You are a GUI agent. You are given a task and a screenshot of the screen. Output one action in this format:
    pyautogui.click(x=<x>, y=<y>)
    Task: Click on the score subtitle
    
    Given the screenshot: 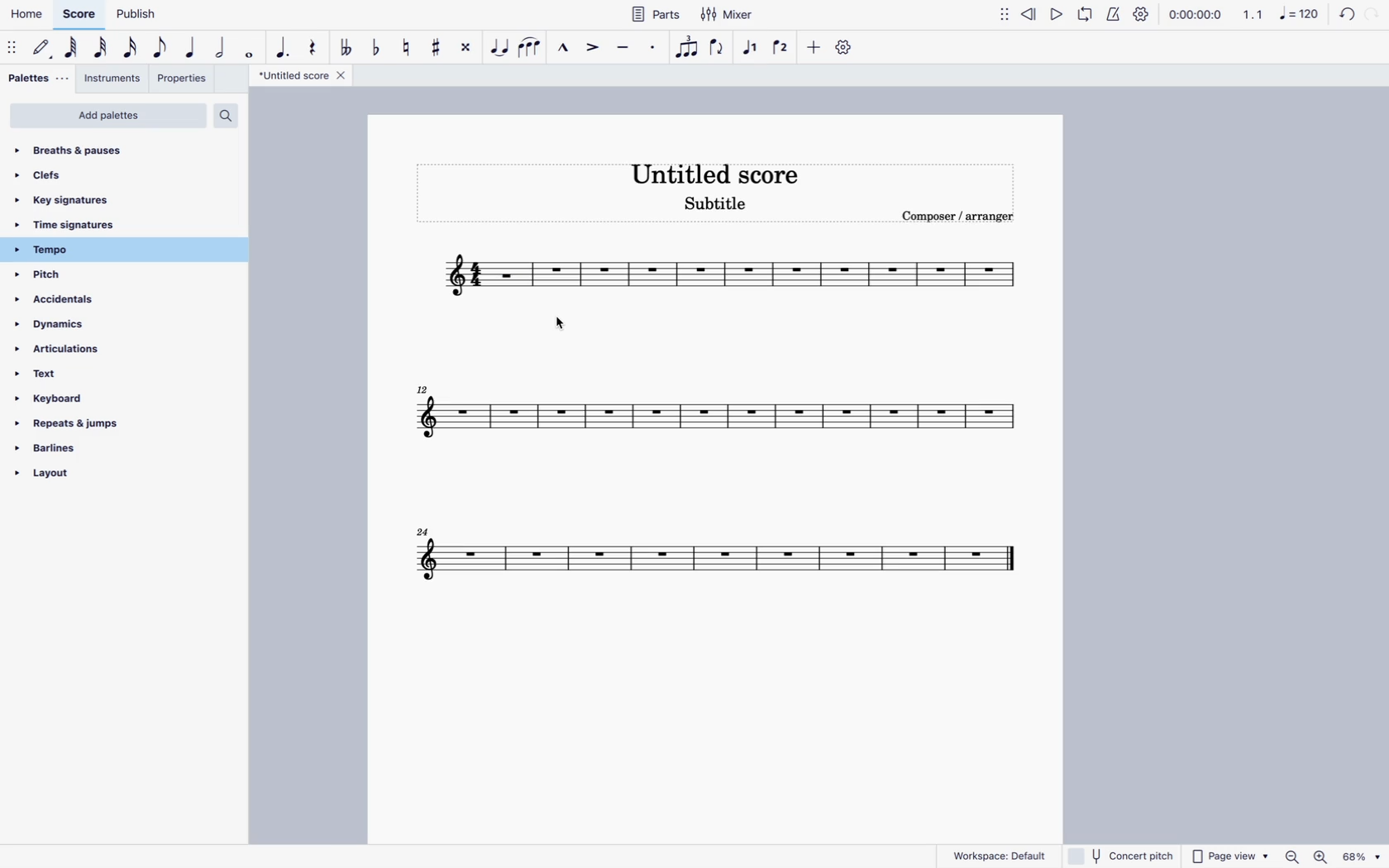 What is the action you would take?
    pyautogui.click(x=715, y=206)
    